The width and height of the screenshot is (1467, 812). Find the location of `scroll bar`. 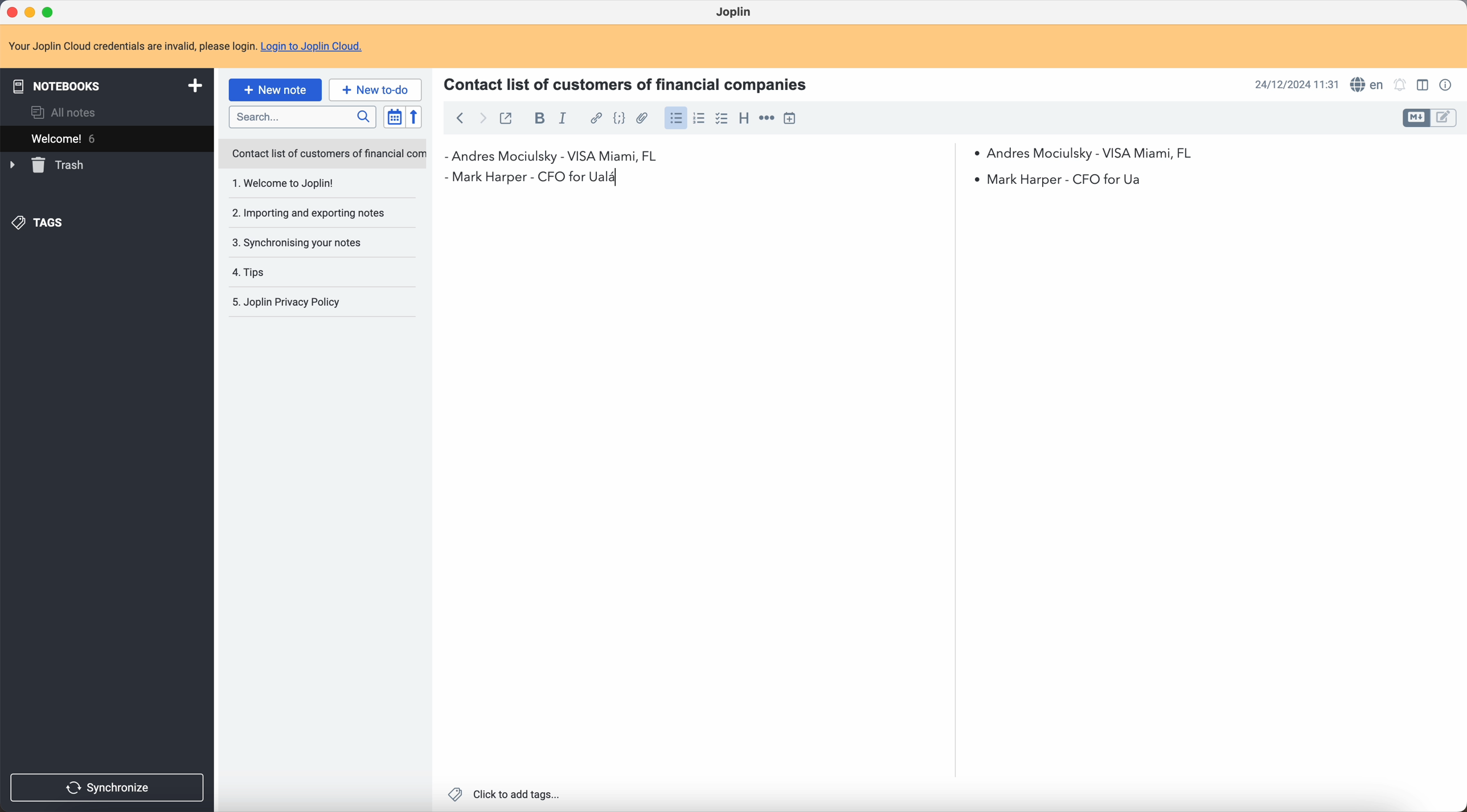

scroll bar is located at coordinates (1458, 255).